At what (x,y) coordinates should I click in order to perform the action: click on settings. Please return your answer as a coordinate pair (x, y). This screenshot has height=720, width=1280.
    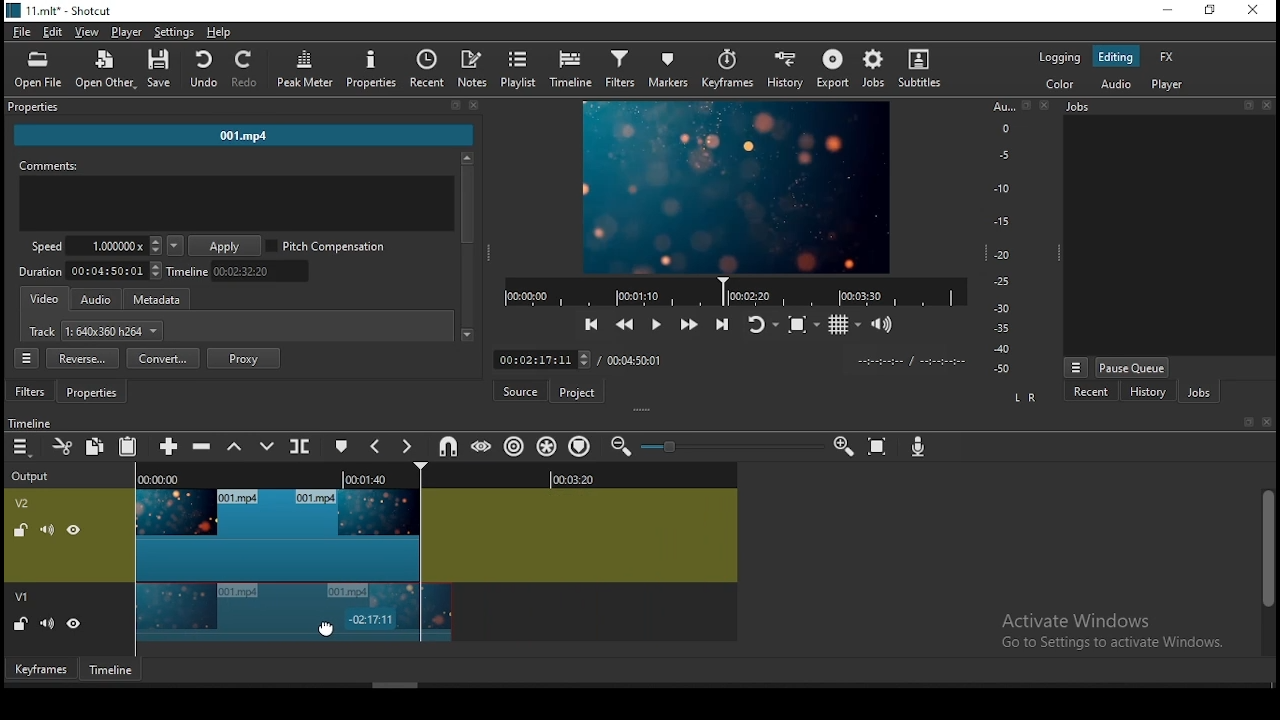
    Looking at the image, I should click on (174, 31).